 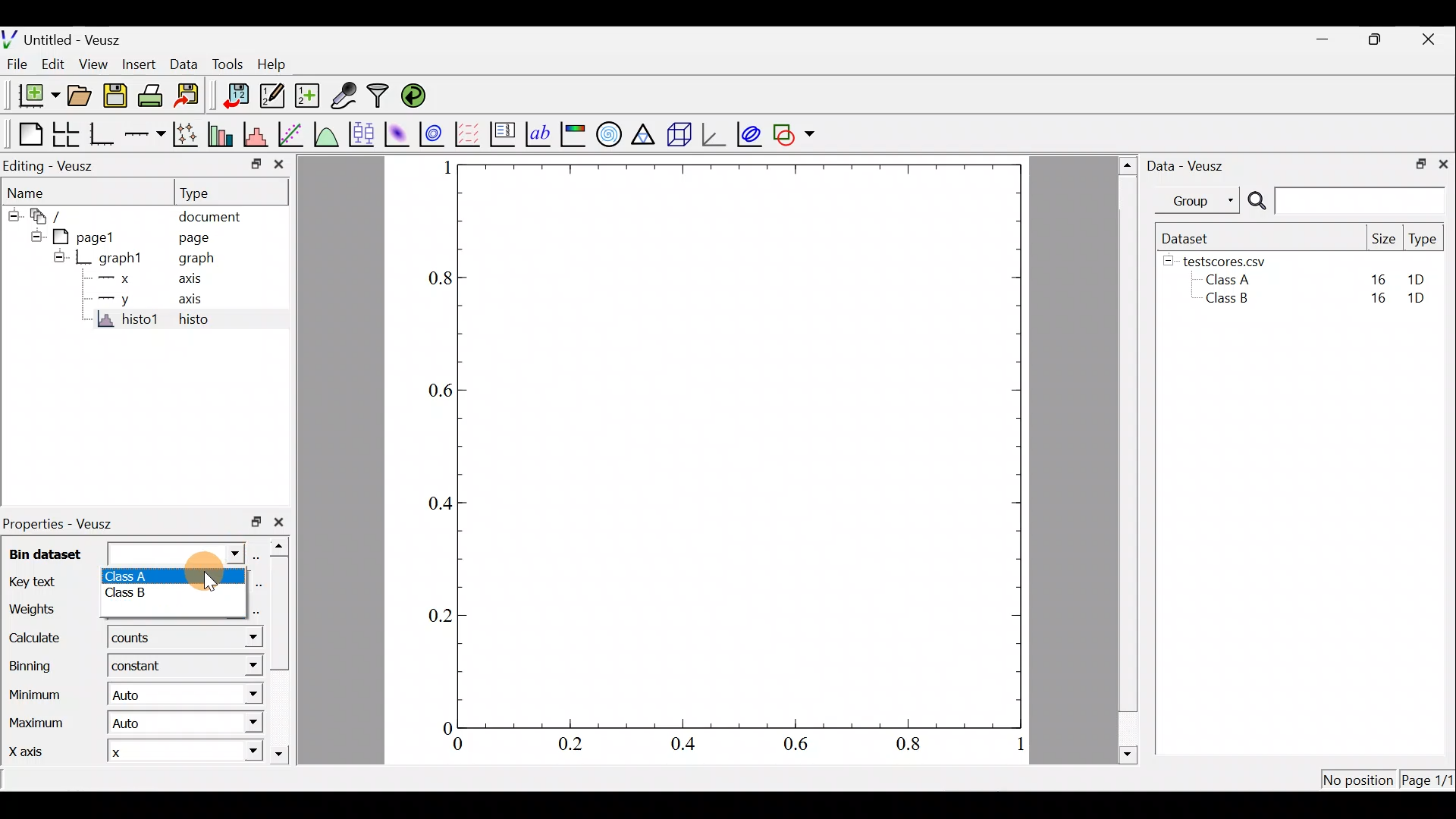 I want to click on Print the document, so click(x=151, y=95).